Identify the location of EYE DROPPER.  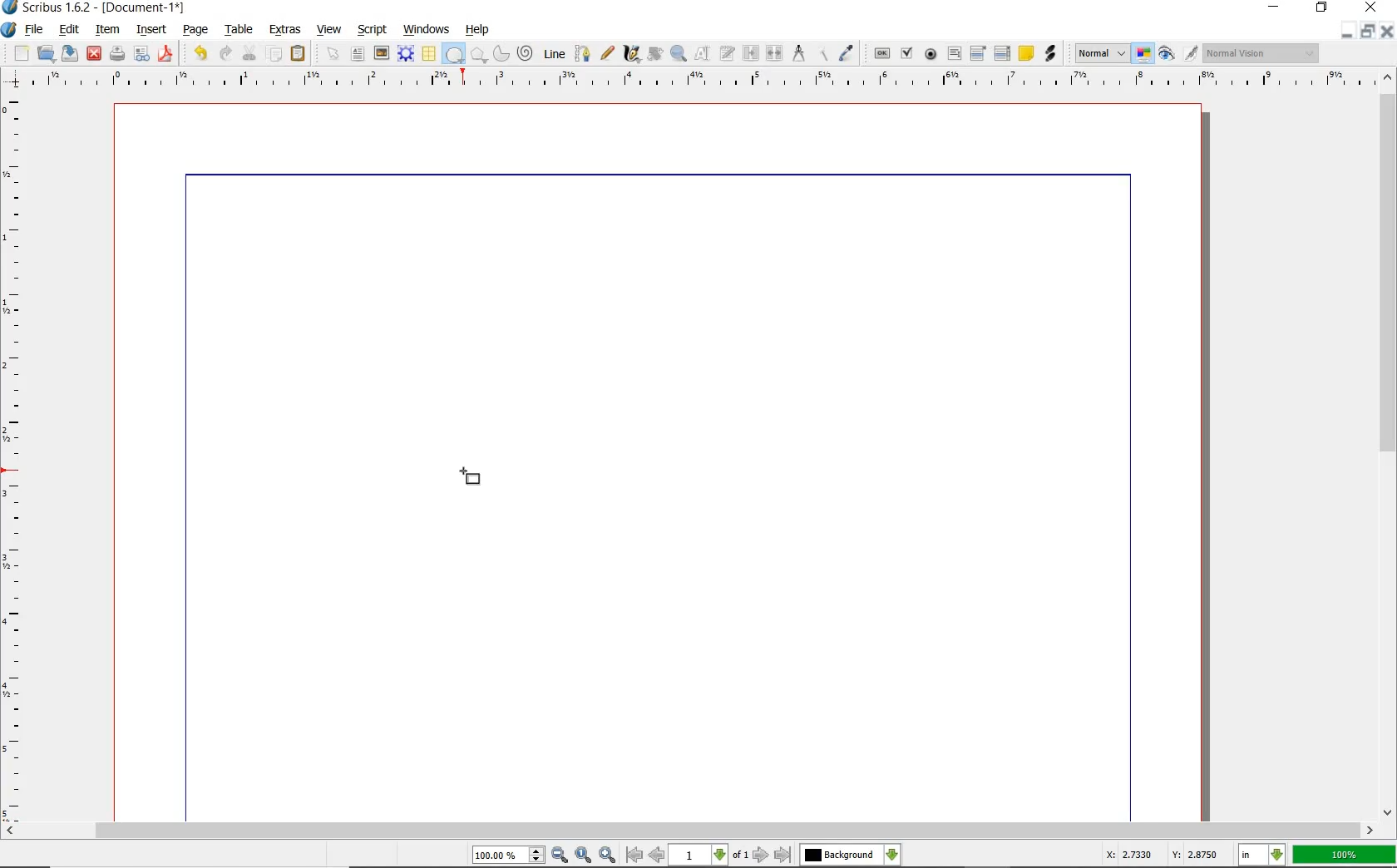
(847, 54).